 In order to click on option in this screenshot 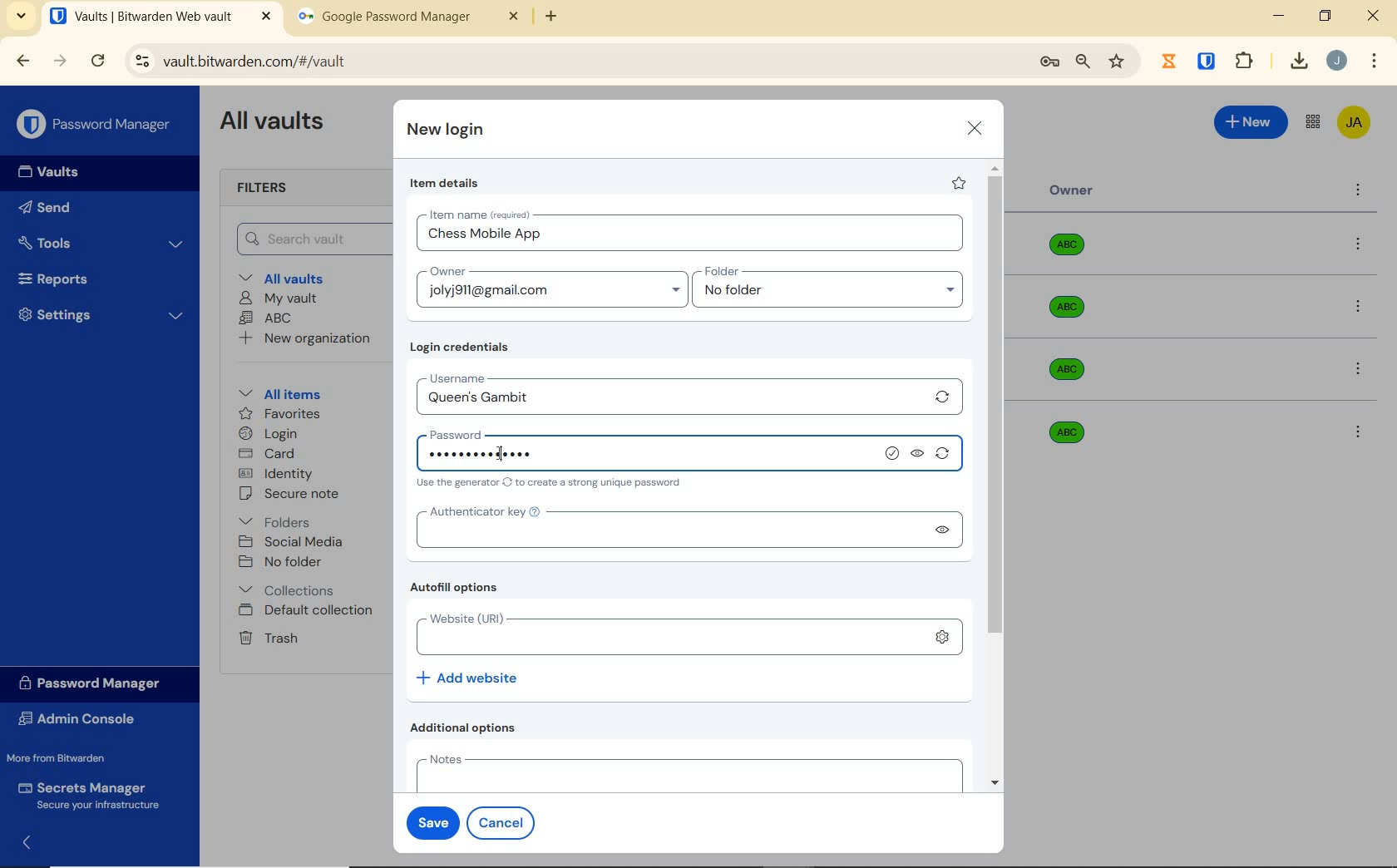, I will do `click(1357, 431)`.